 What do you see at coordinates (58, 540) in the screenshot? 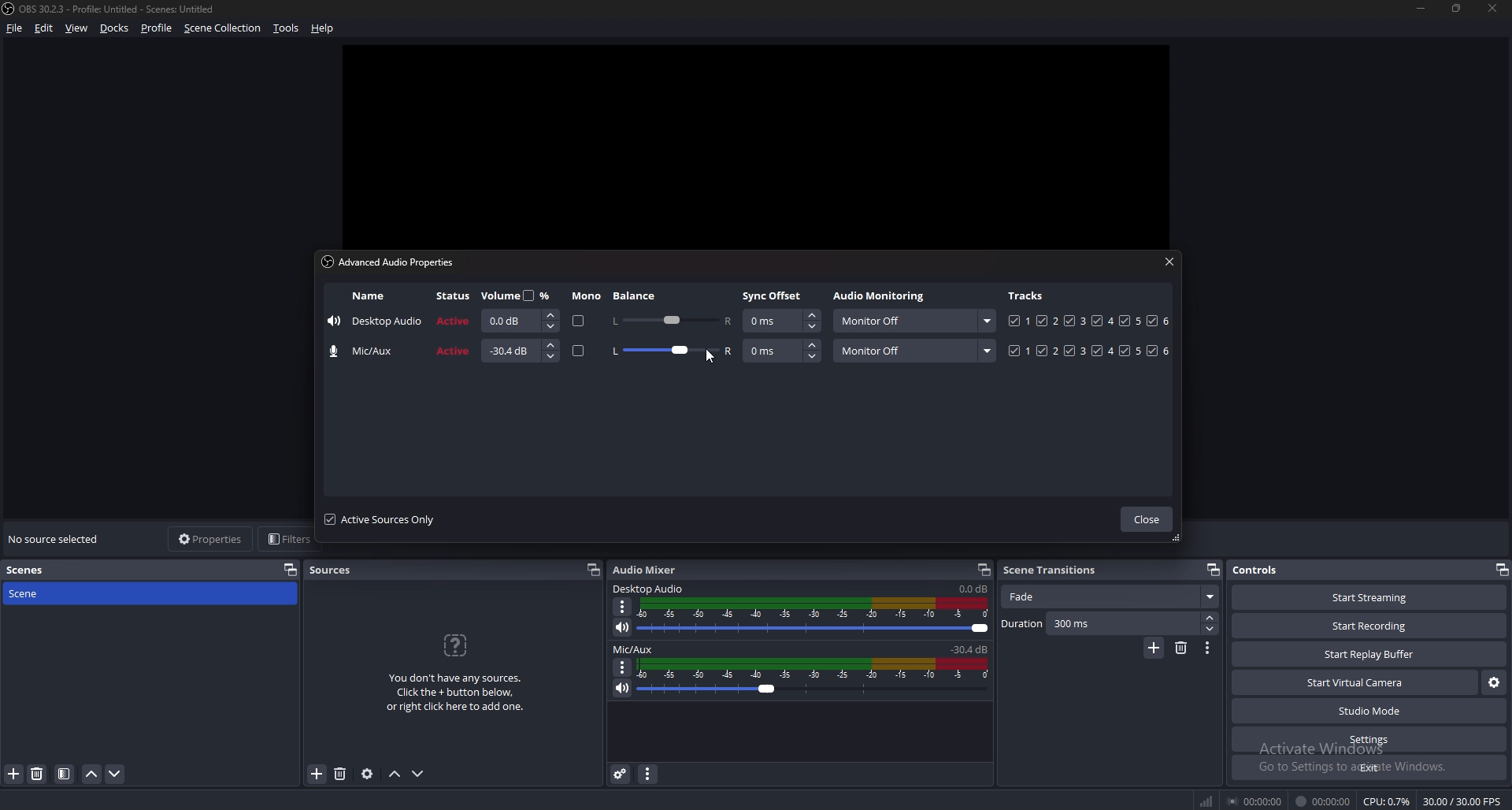
I see `no source selected` at bounding box center [58, 540].